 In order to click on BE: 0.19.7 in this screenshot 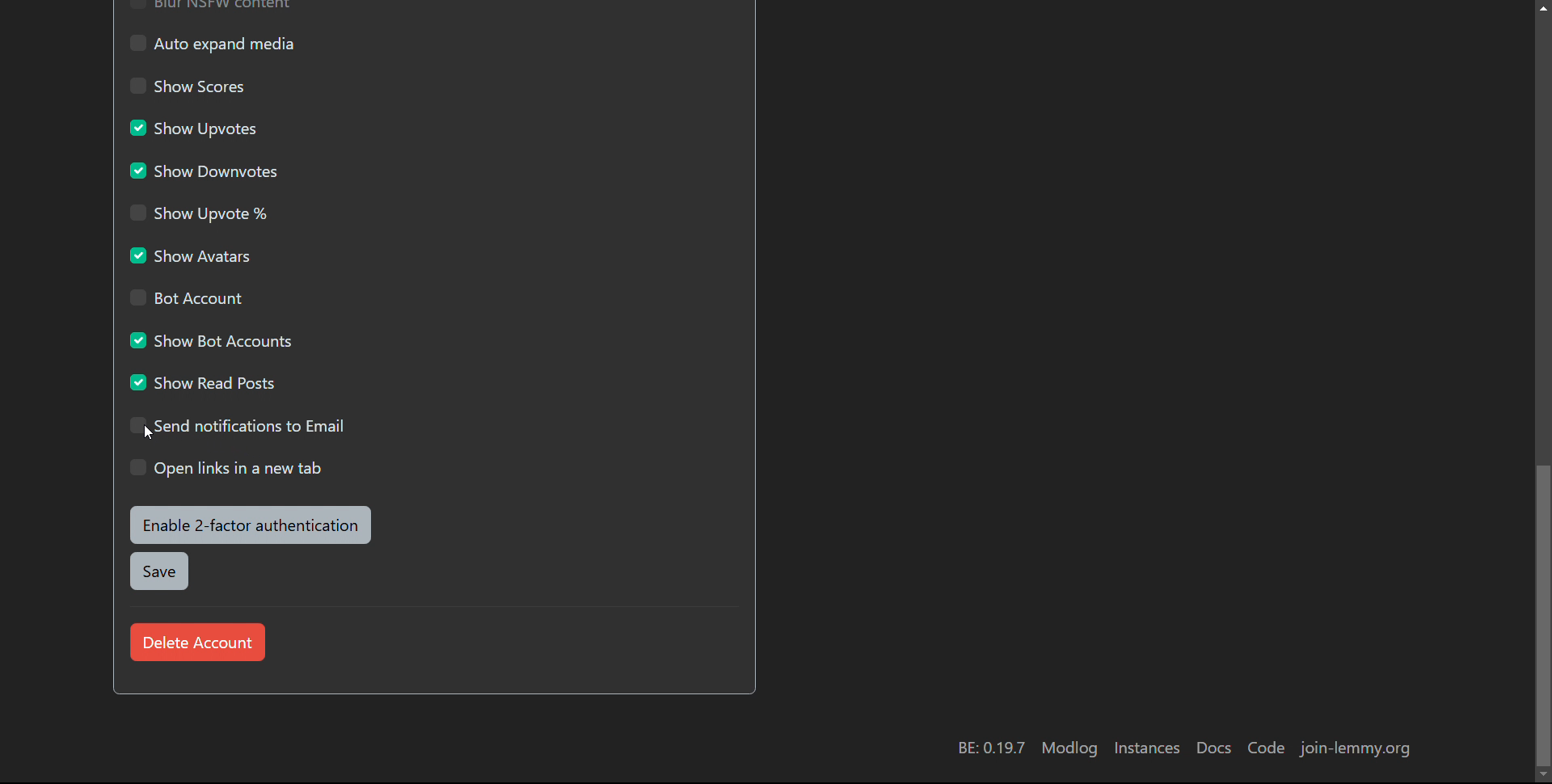, I will do `click(989, 747)`.